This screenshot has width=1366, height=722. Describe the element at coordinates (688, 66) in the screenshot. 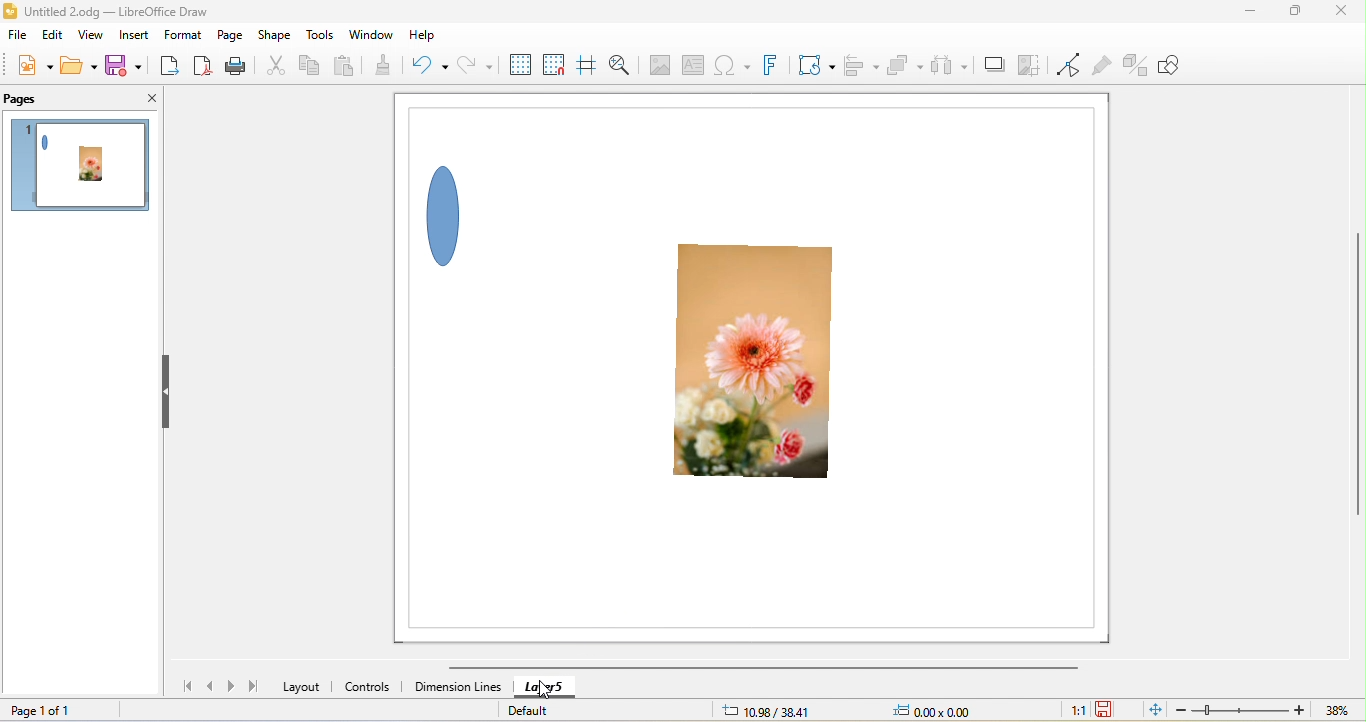

I see `text box` at that location.